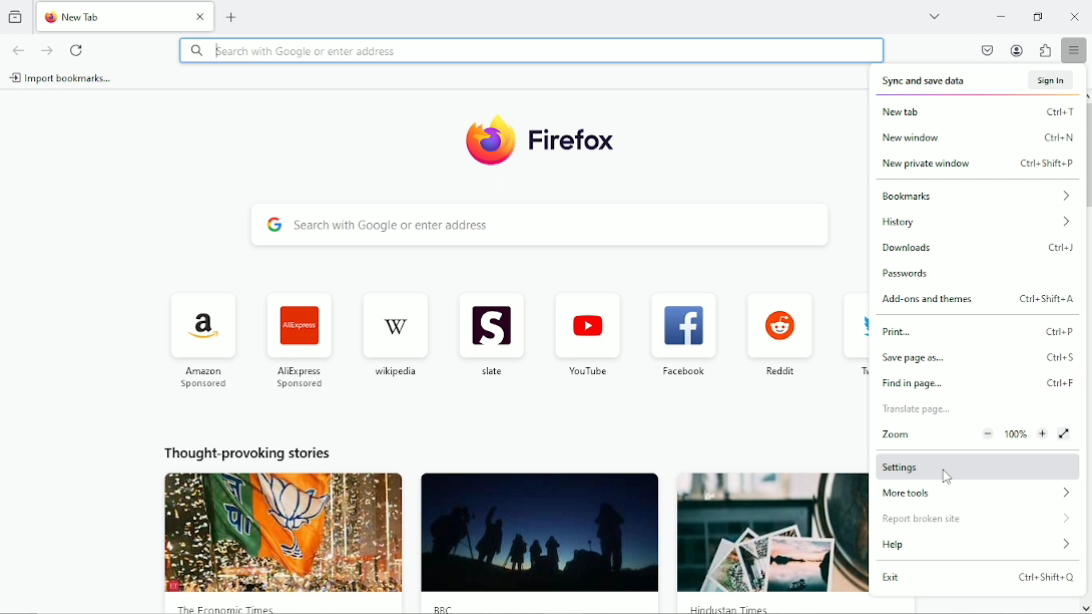 The height and width of the screenshot is (614, 1092). I want to click on BBC, so click(540, 544).